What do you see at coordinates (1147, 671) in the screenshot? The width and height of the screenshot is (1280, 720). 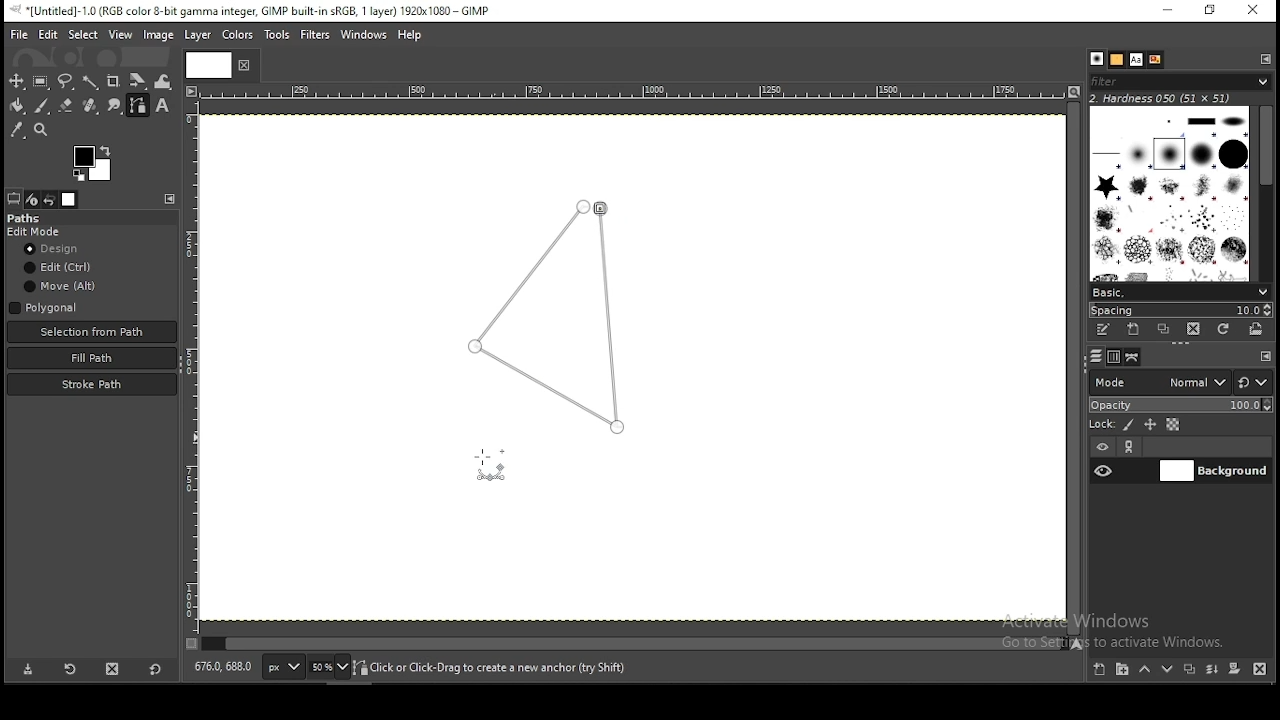 I see `move layer one step up` at bounding box center [1147, 671].